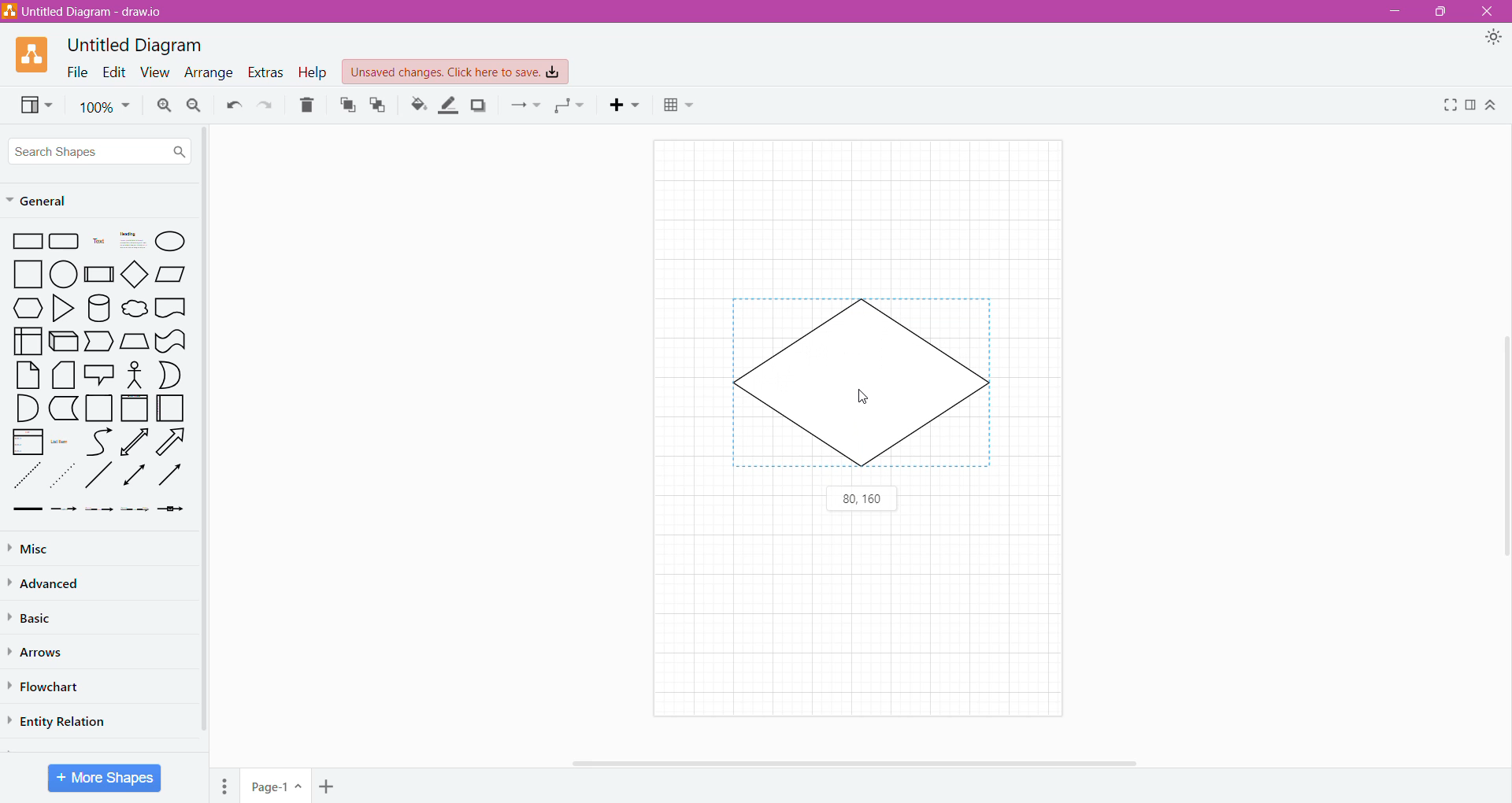 The height and width of the screenshot is (803, 1512). I want to click on Curves, so click(99, 442).